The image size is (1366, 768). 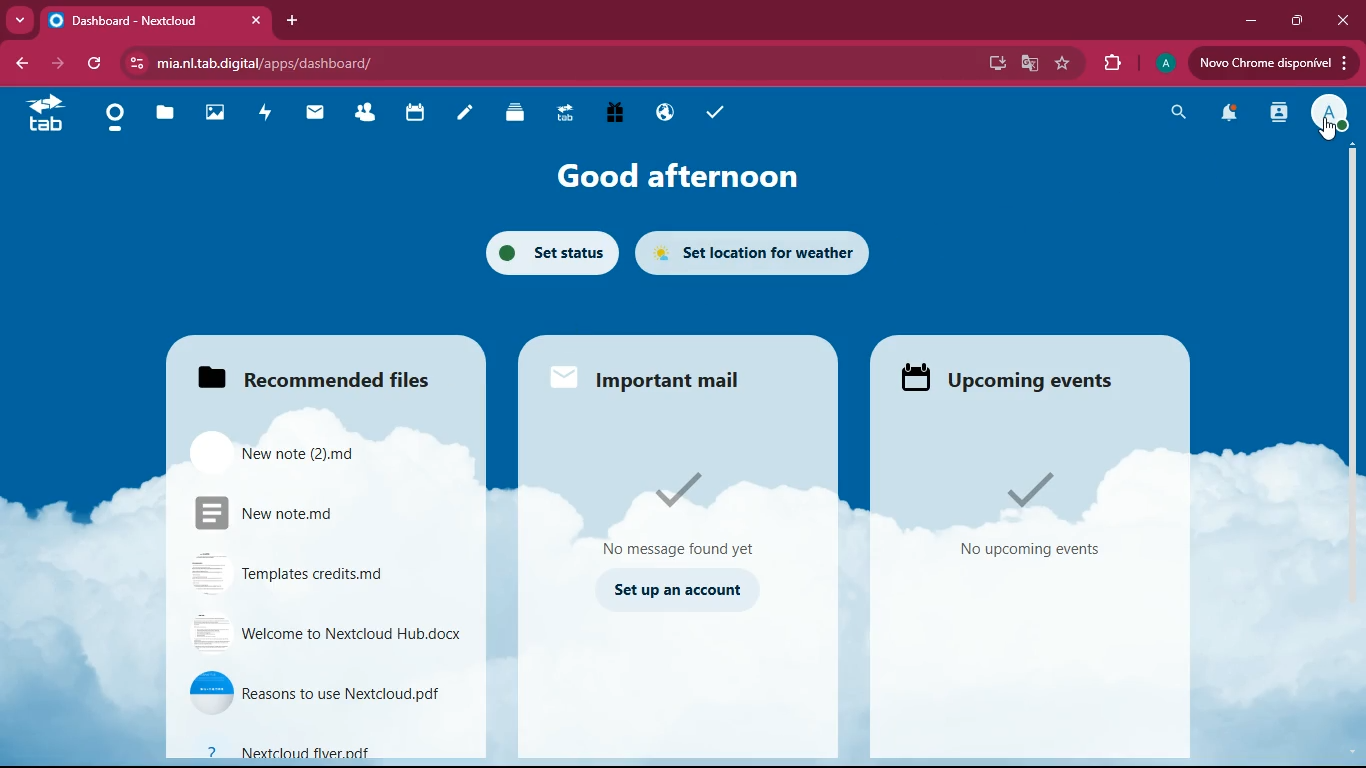 I want to click on files, so click(x=324, y=451).